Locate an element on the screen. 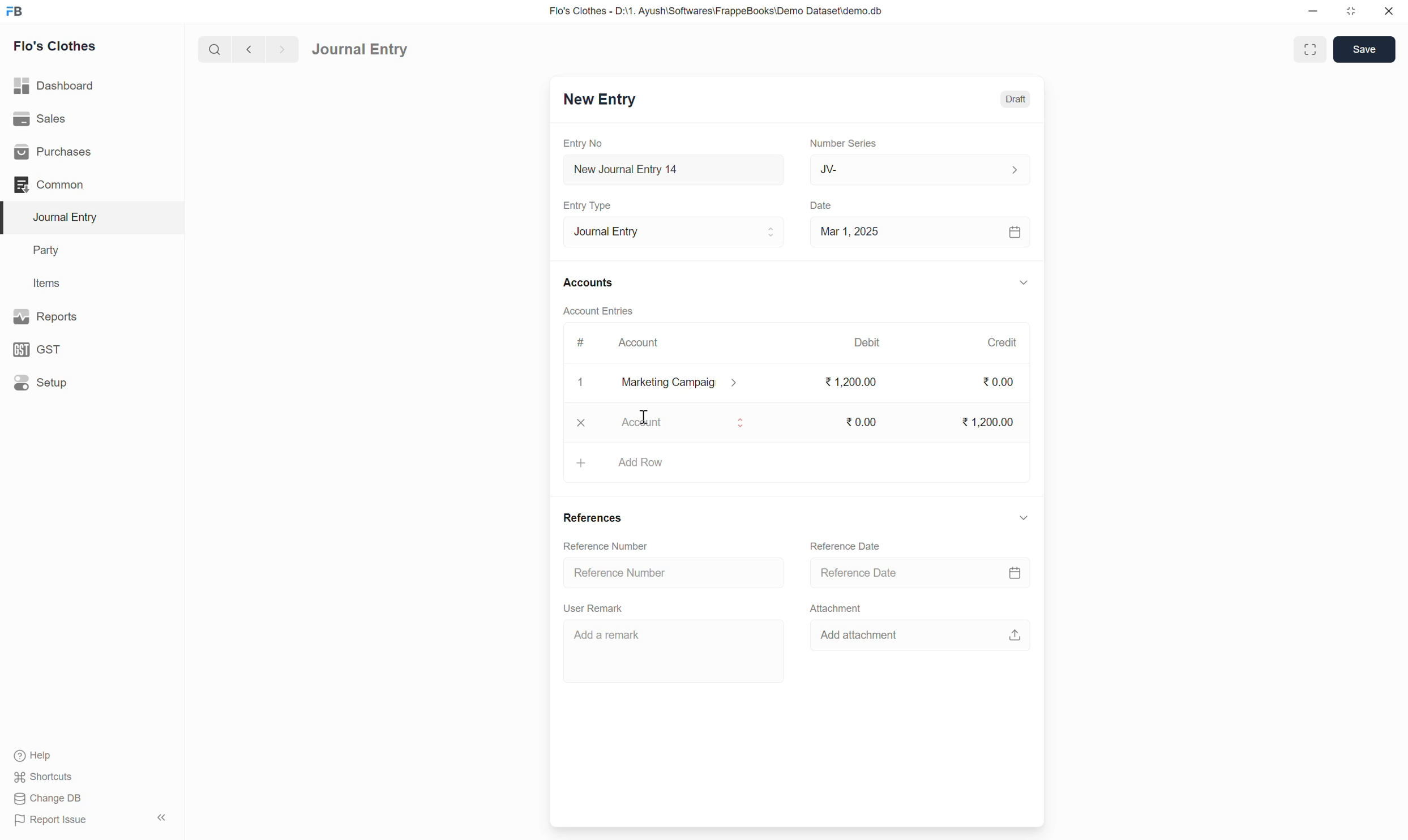 This screenshot has width=1408, height=840. cursor is located at coordinates (644, 421).